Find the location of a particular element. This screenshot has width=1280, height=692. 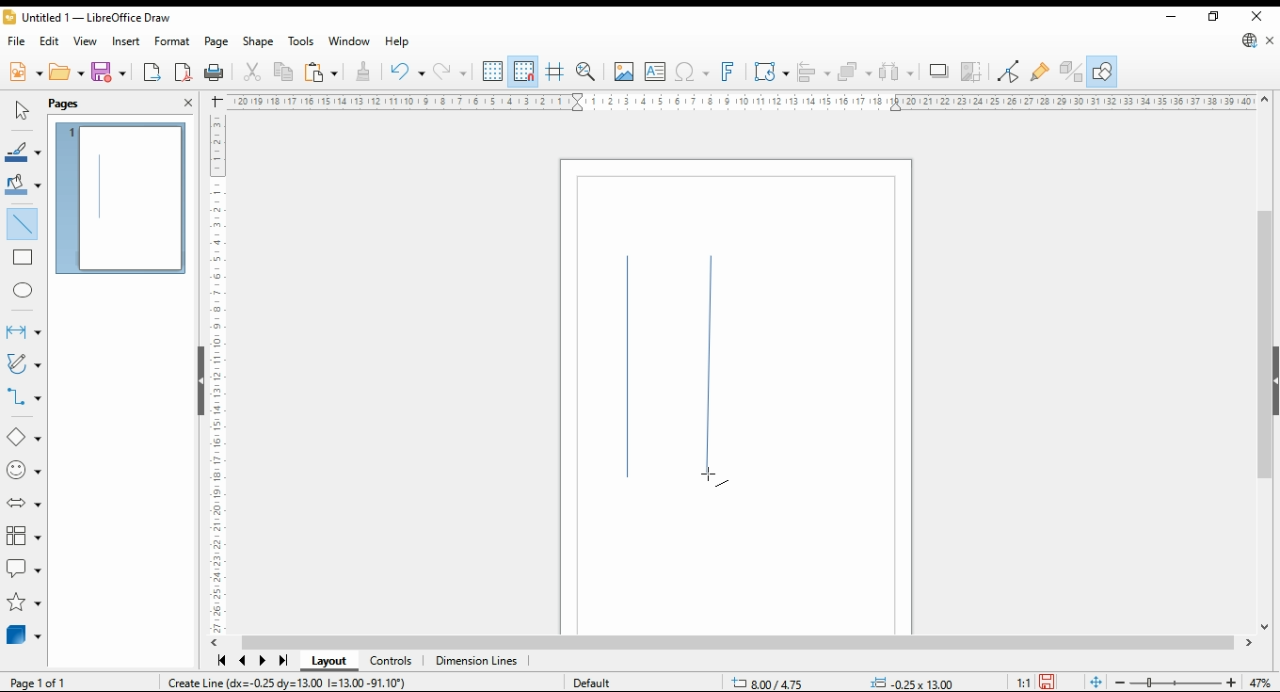

pan and zoom is located at coordinates (586, 72).